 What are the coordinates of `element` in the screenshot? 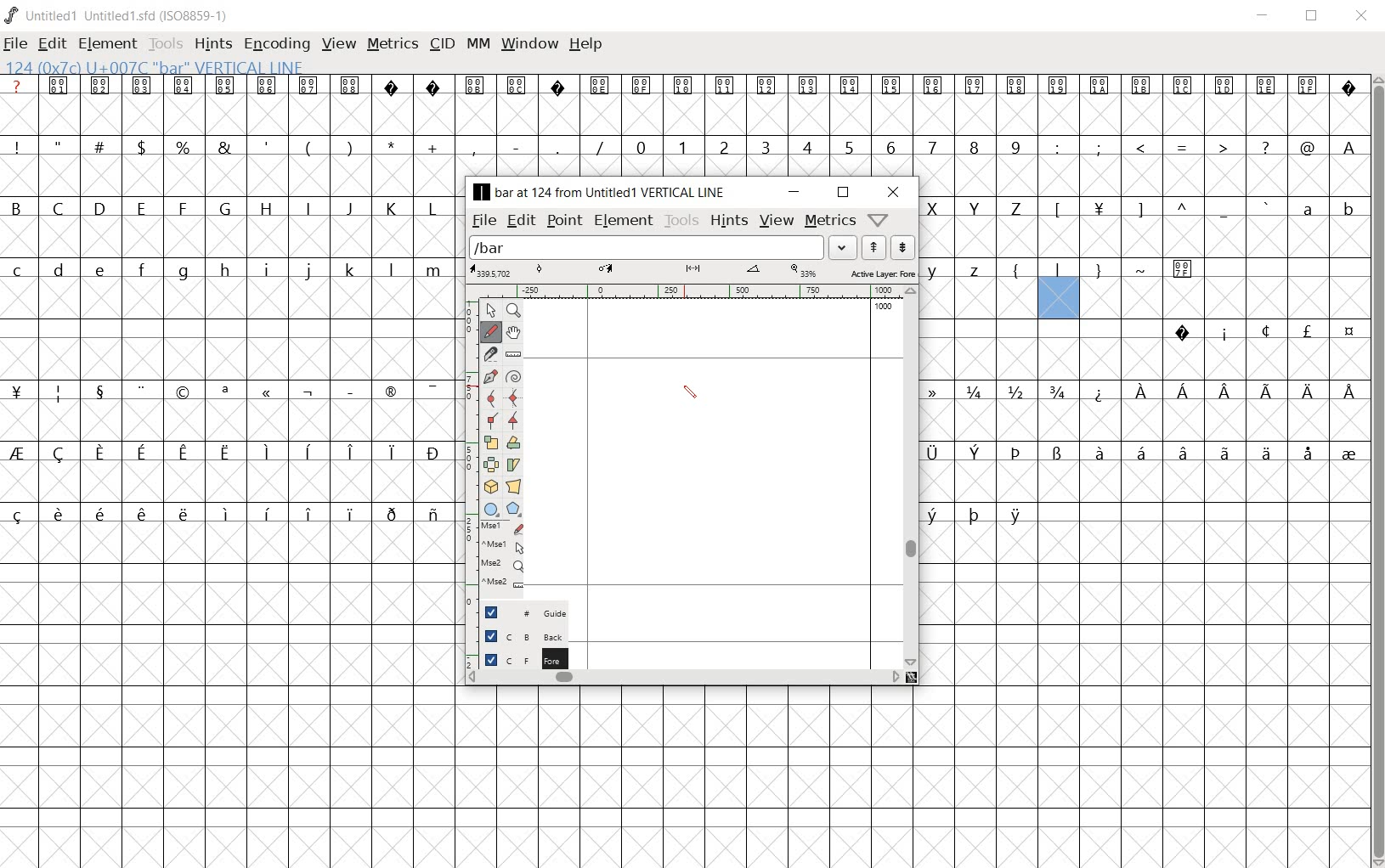 It's located at (107, 44).